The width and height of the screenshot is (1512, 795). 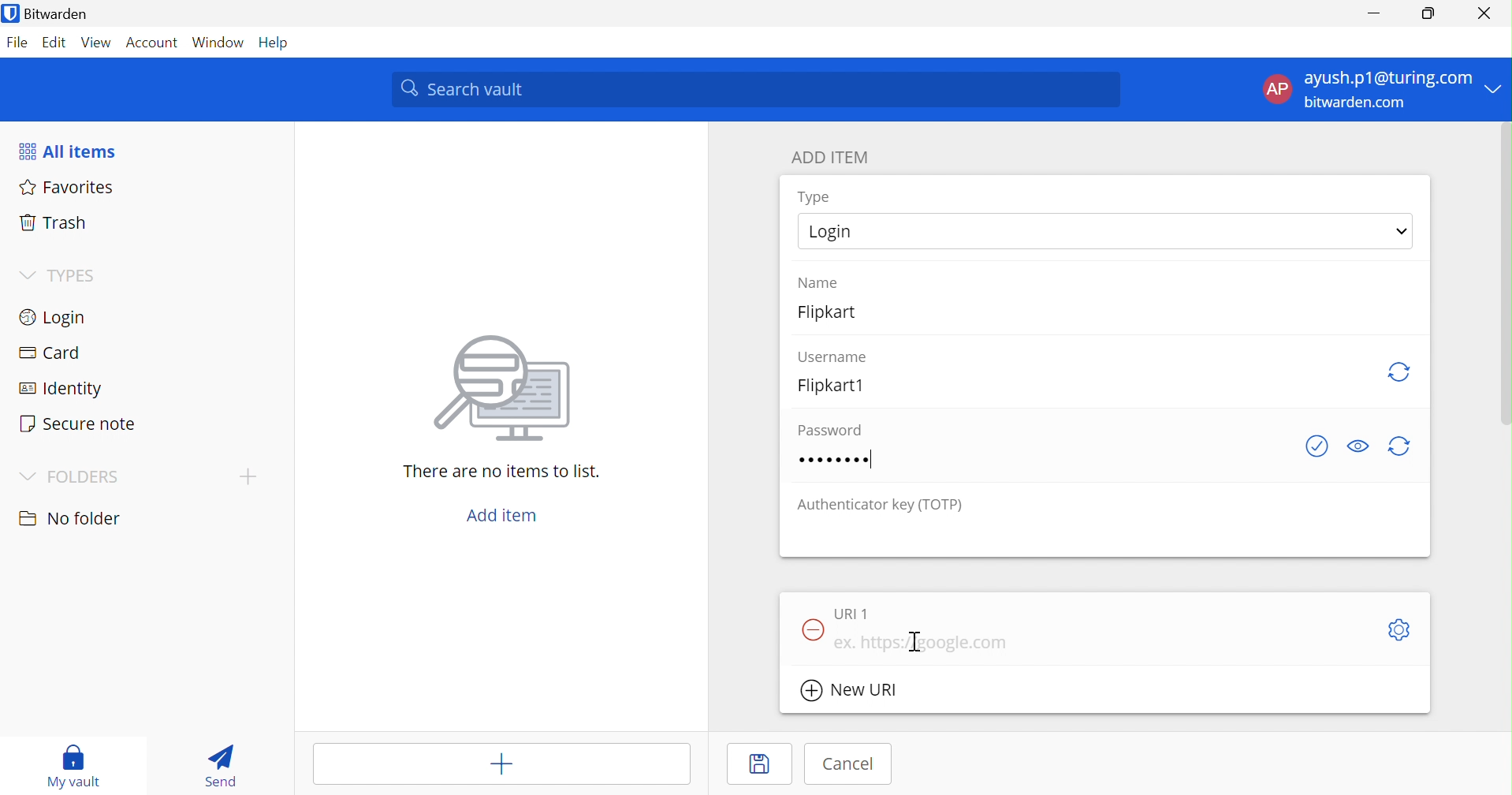 I want to click on Username, so click(x=833, y=355).